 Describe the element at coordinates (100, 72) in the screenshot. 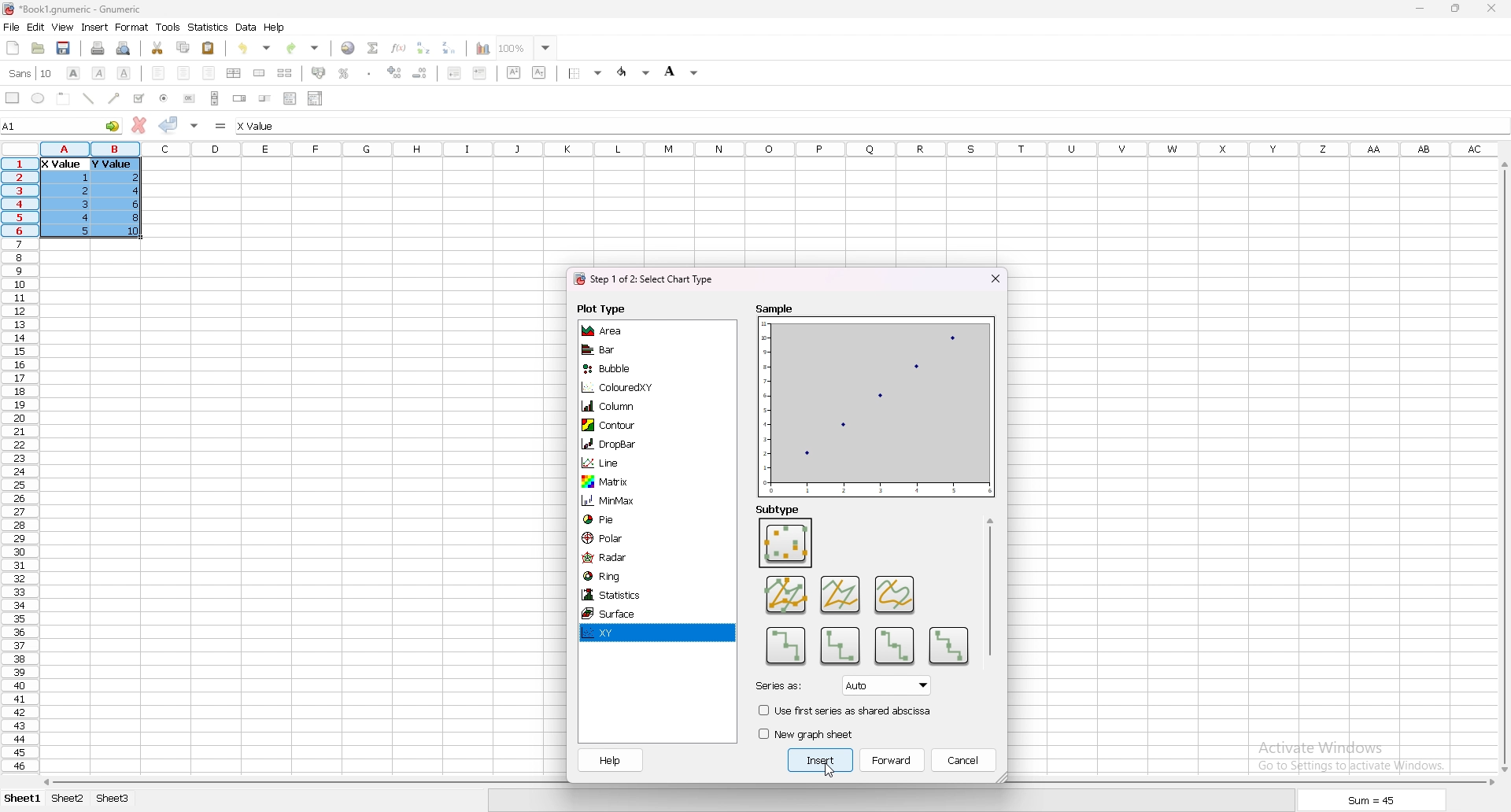

I see `italic` at that location.